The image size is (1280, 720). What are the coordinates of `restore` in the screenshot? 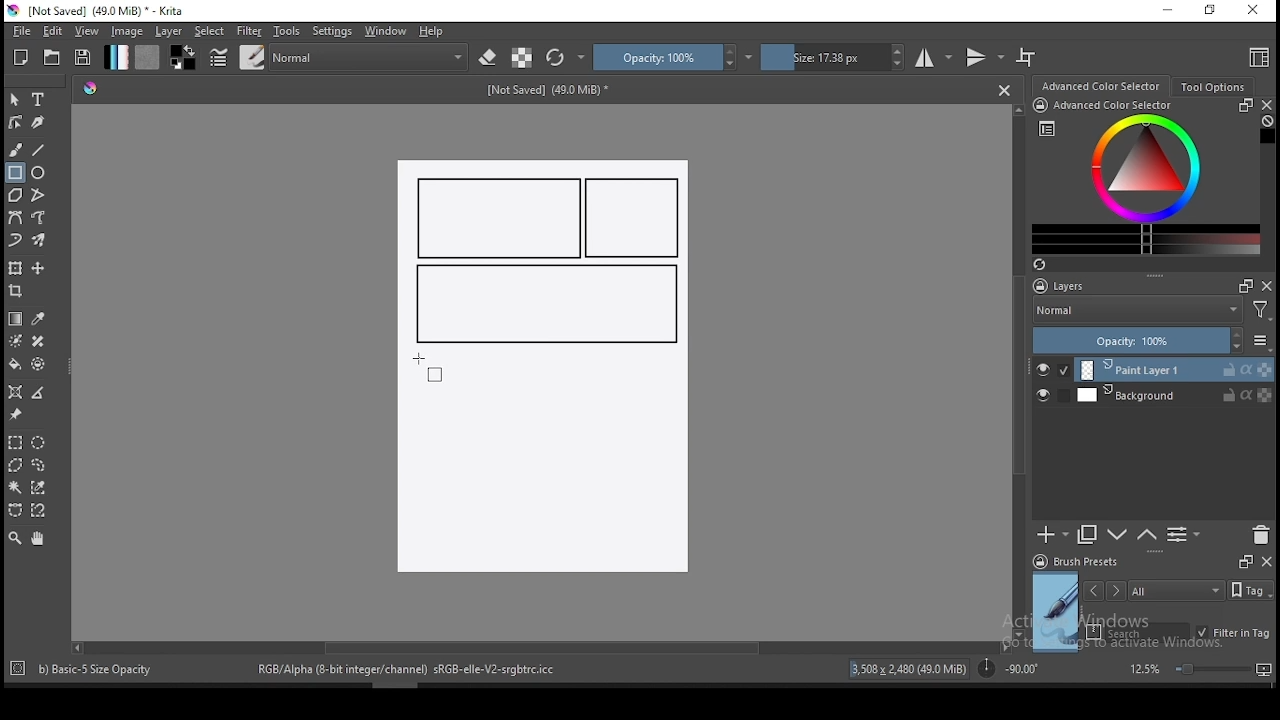 It's located at (1214, 11).